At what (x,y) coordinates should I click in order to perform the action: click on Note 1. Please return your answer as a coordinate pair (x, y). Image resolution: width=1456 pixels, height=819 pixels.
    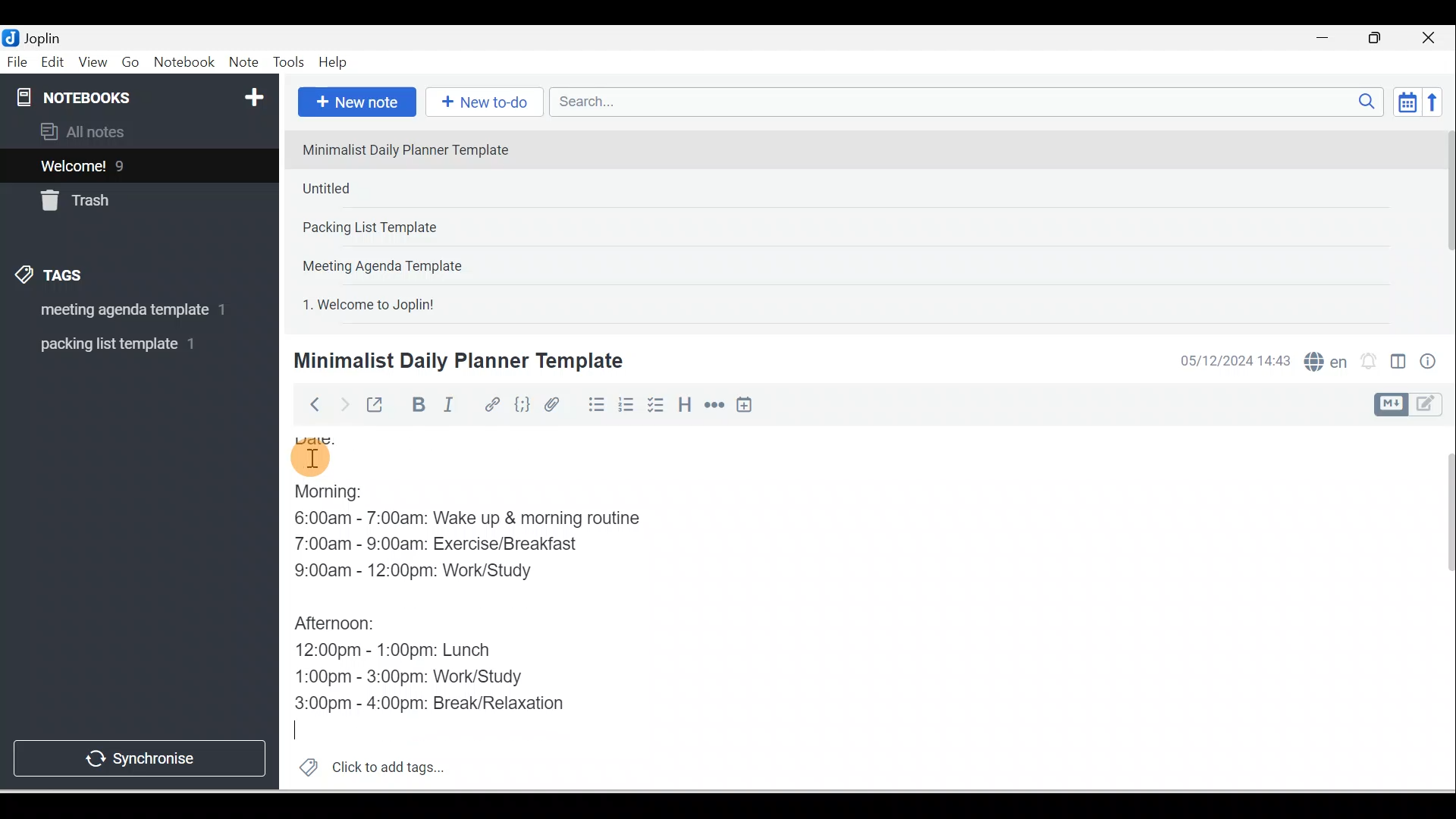
    Looking at the image, I should click on (416, 149).